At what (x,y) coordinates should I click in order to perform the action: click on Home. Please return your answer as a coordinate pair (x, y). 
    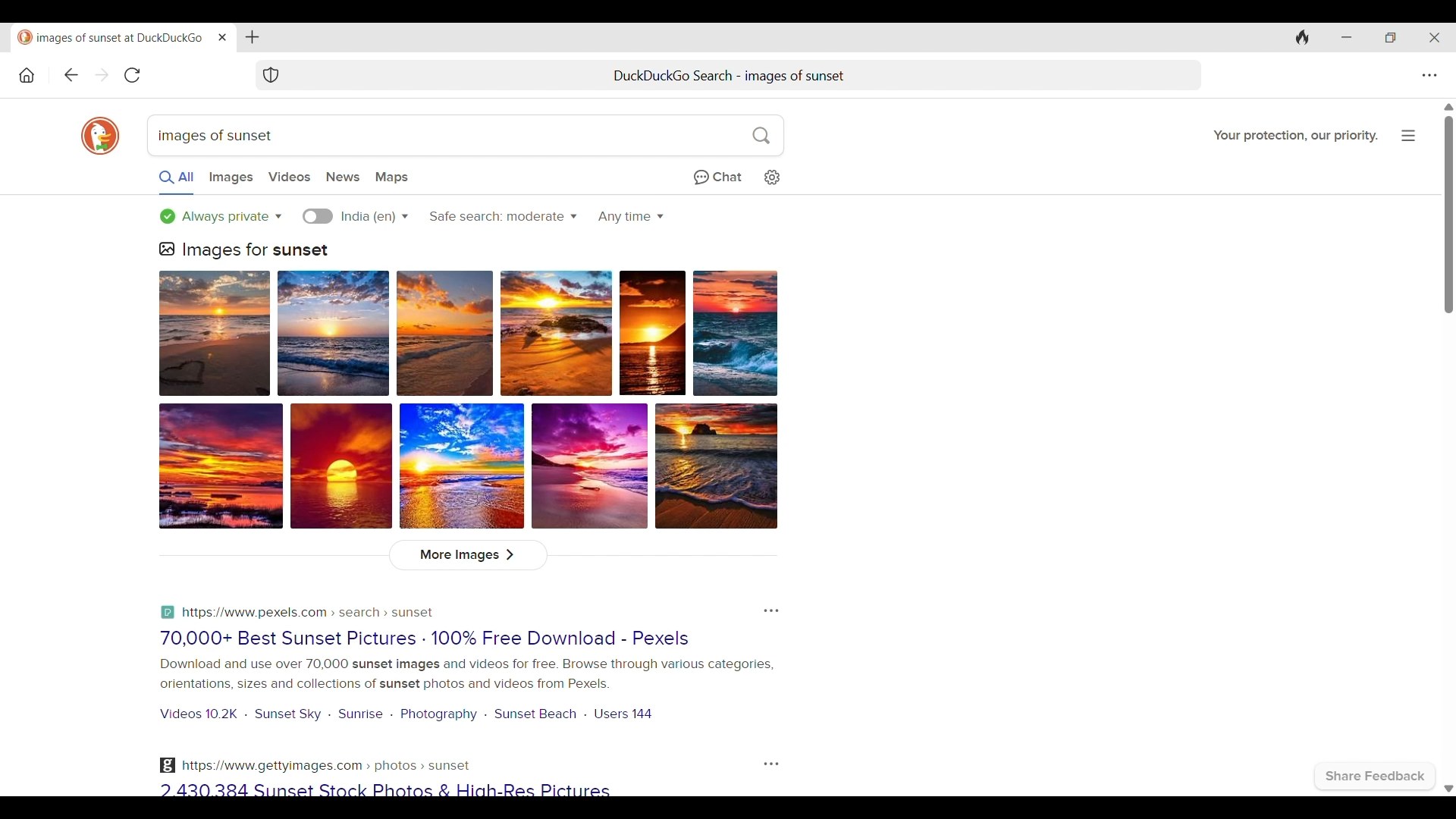
    Looking at the image, I should click on (27, 76).